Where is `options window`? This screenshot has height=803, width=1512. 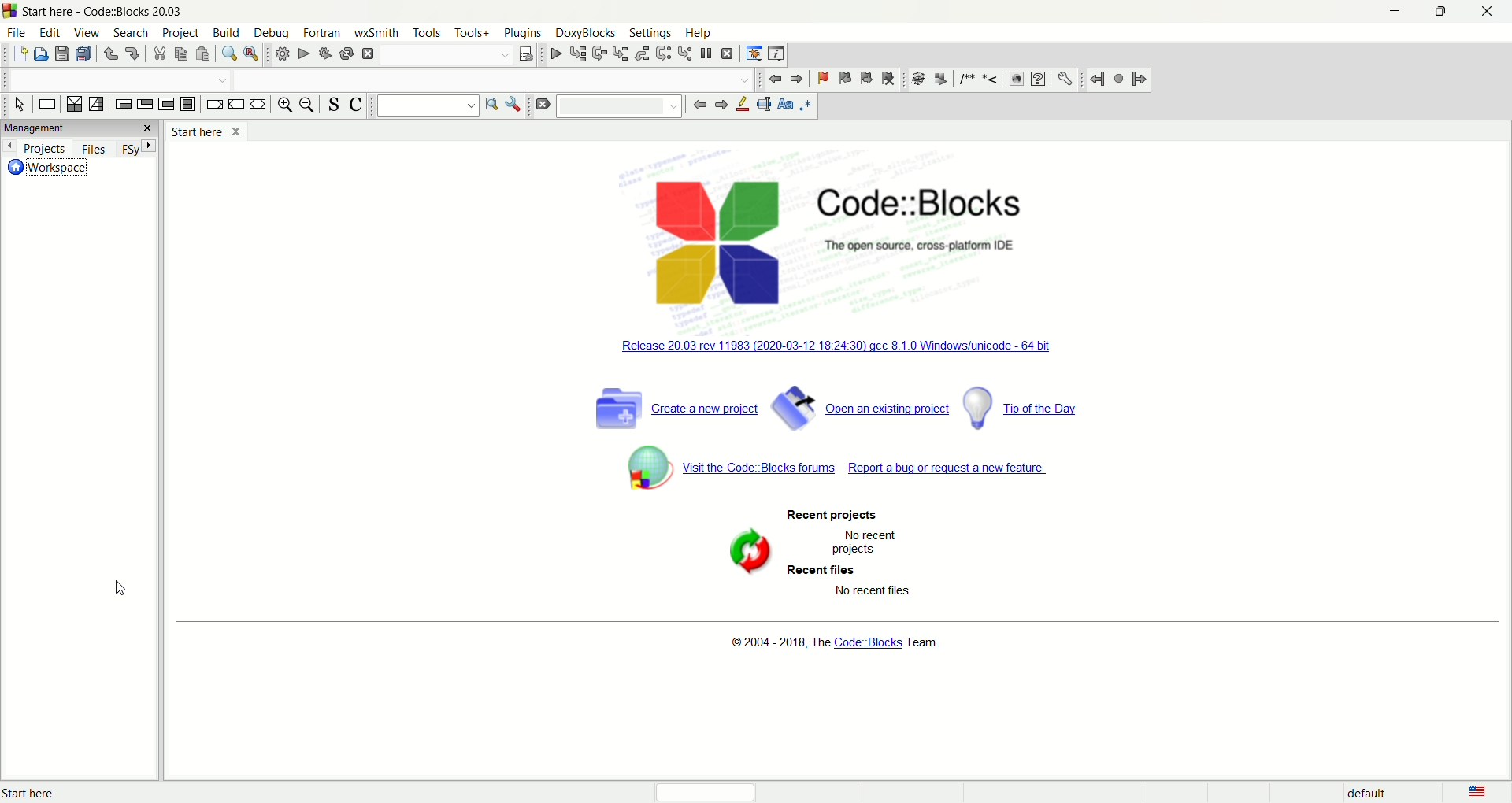
options window is located at coordinates (514, 105).